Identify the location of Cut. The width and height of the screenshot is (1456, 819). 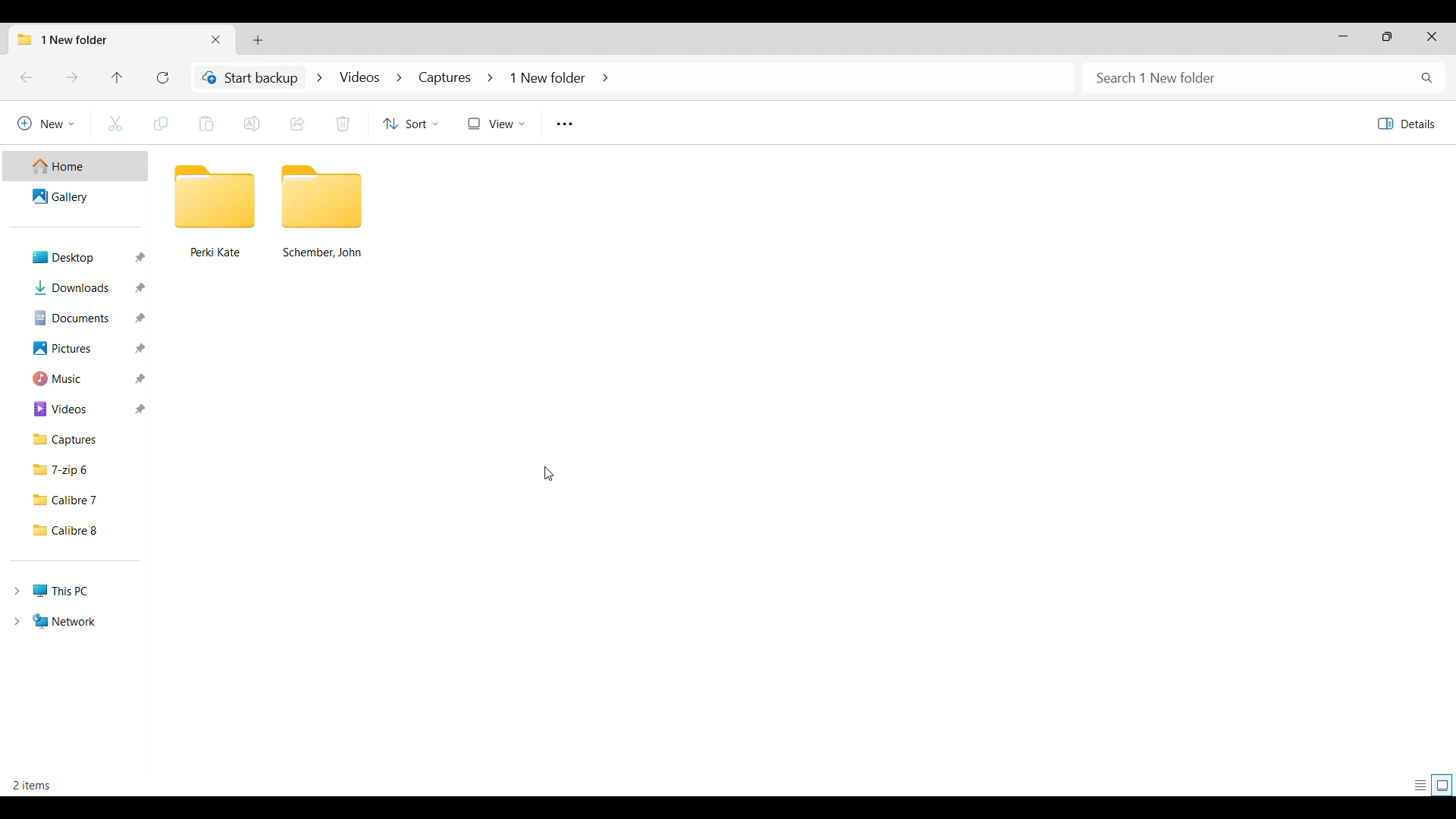
(115, 124).